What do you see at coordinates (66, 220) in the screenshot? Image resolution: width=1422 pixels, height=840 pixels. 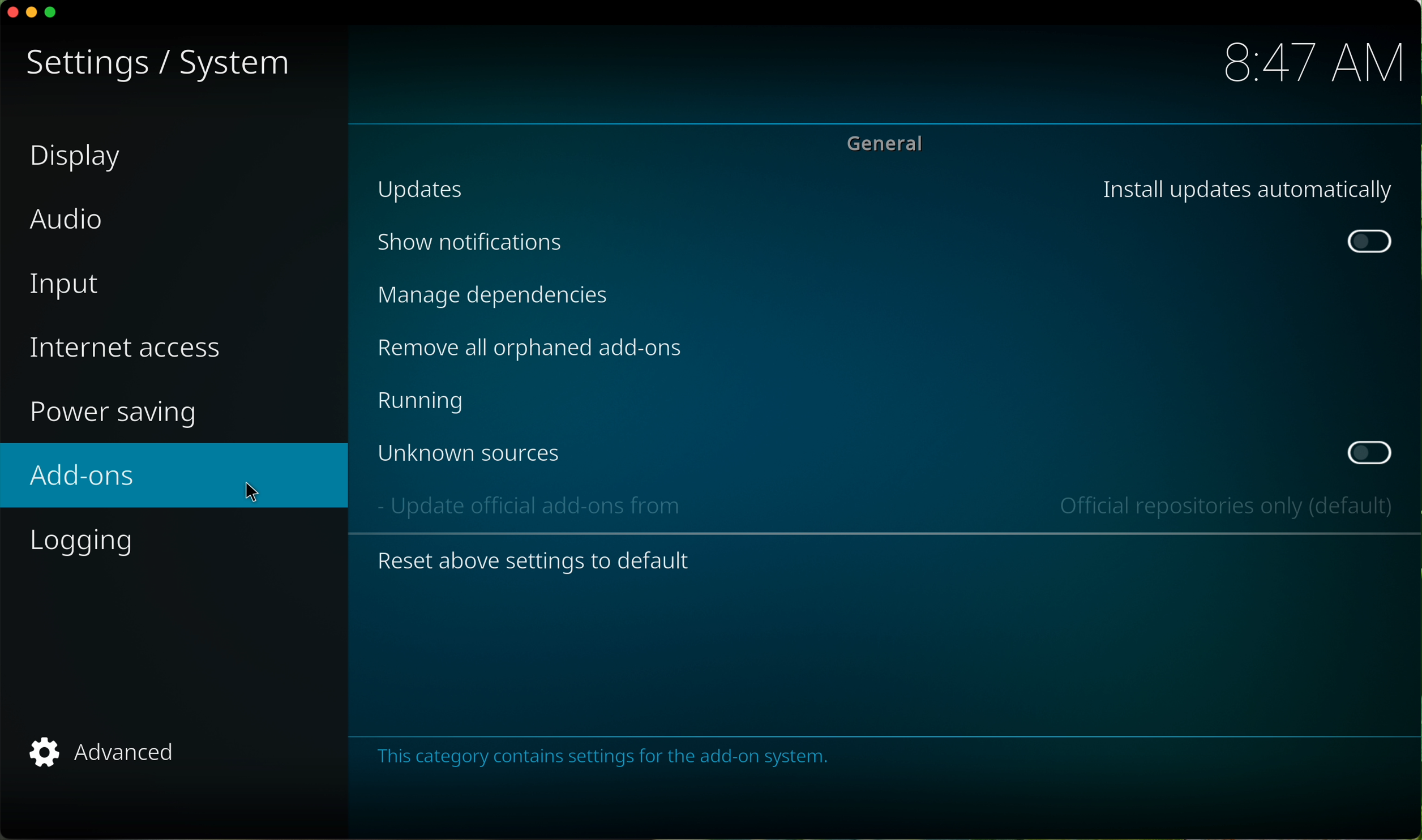 I see `audio` at bounding box center [66, 220].